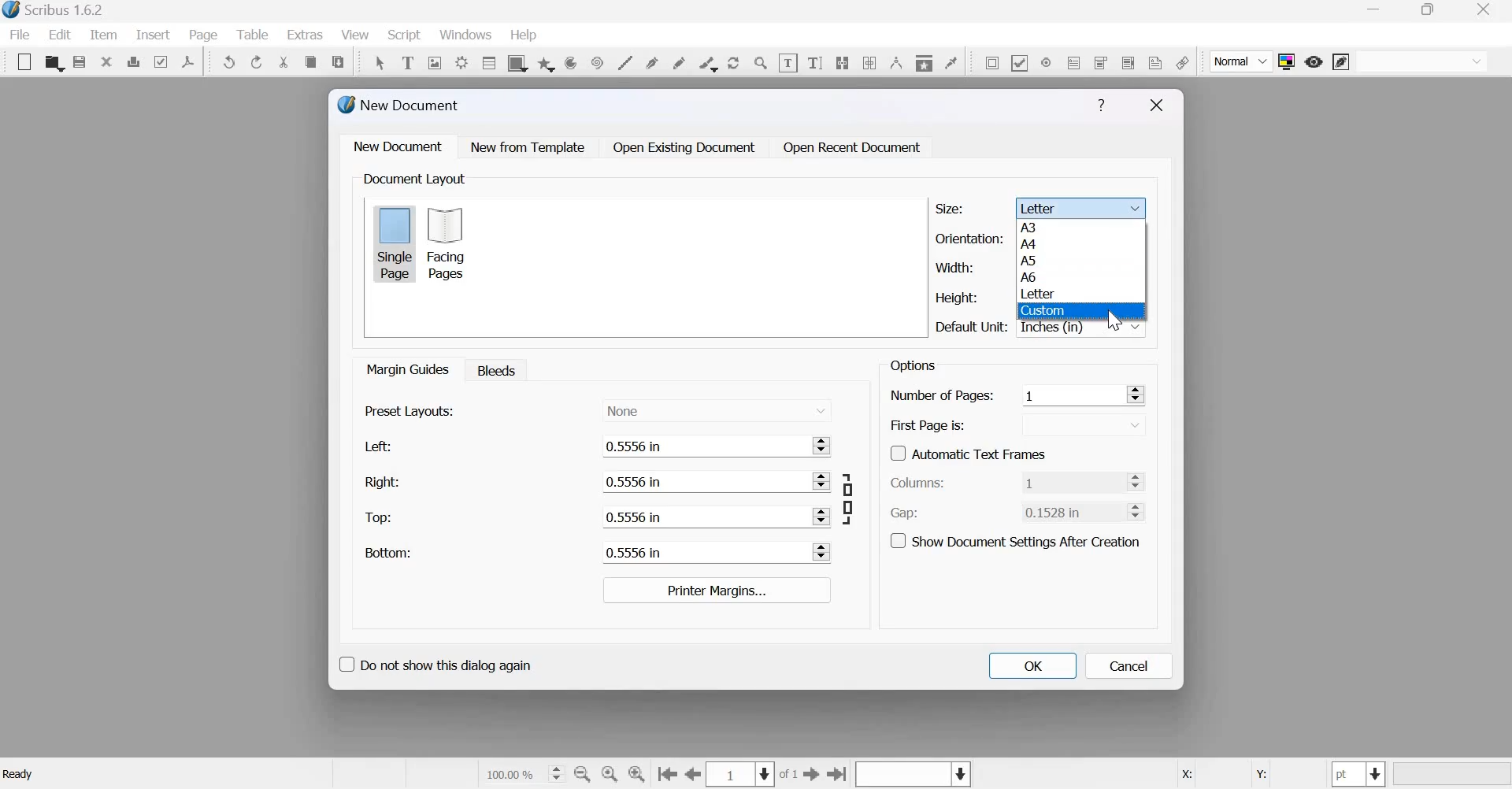  I want to click on Edit, so click(60, 35).